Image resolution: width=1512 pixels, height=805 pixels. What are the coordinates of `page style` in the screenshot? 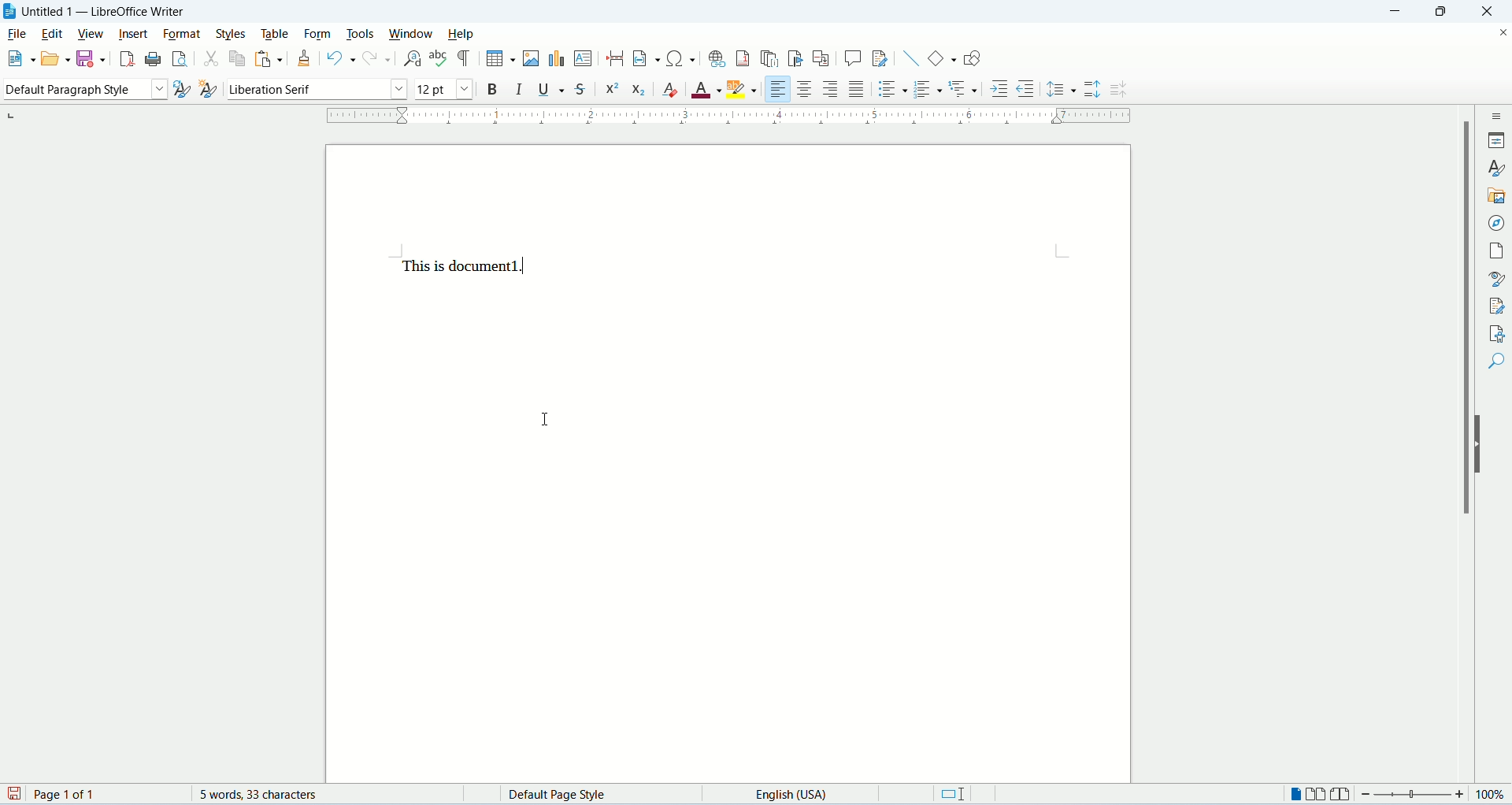 It's located at (556, 794).